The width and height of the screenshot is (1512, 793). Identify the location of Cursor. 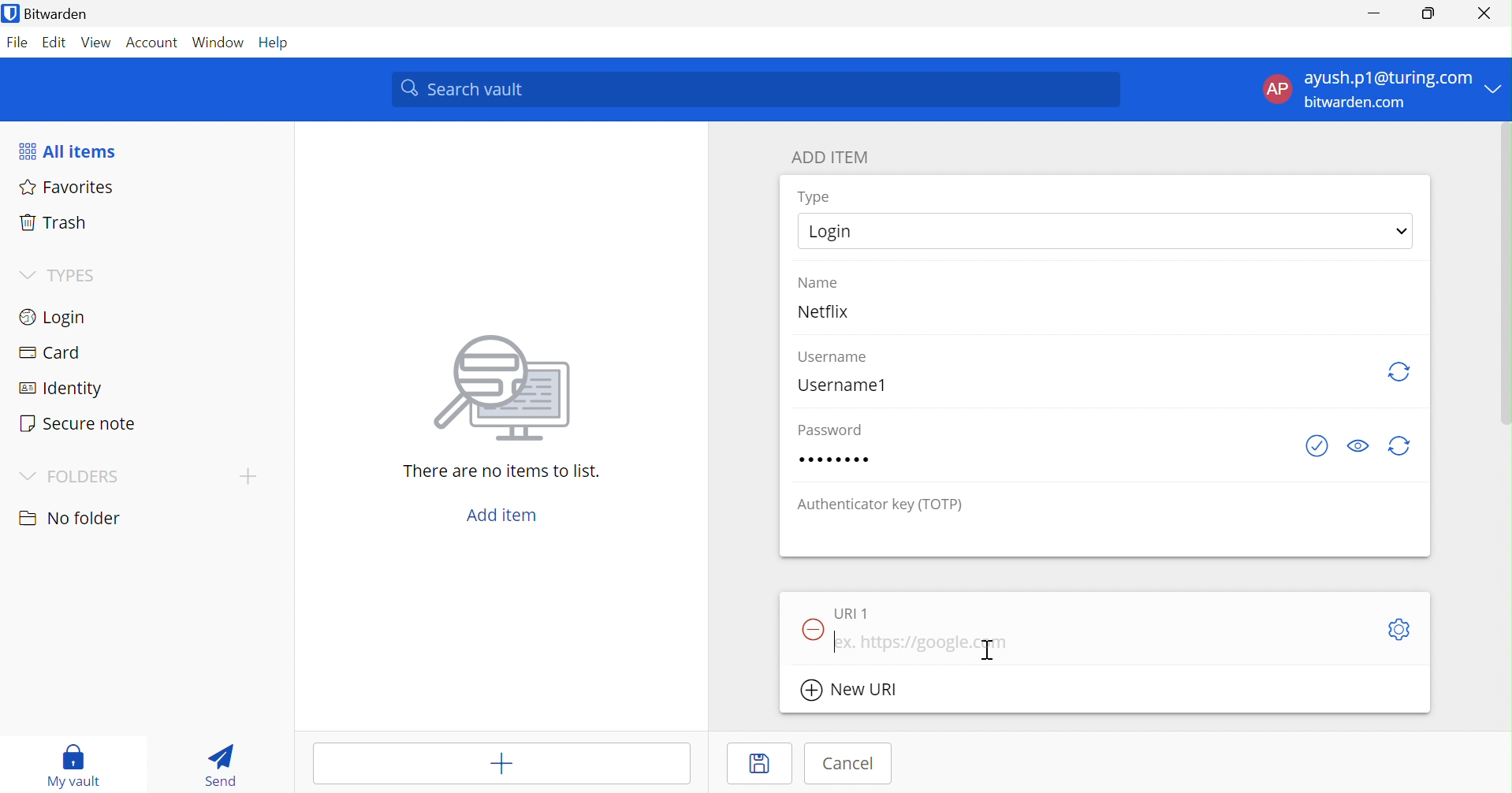
(988, 650).